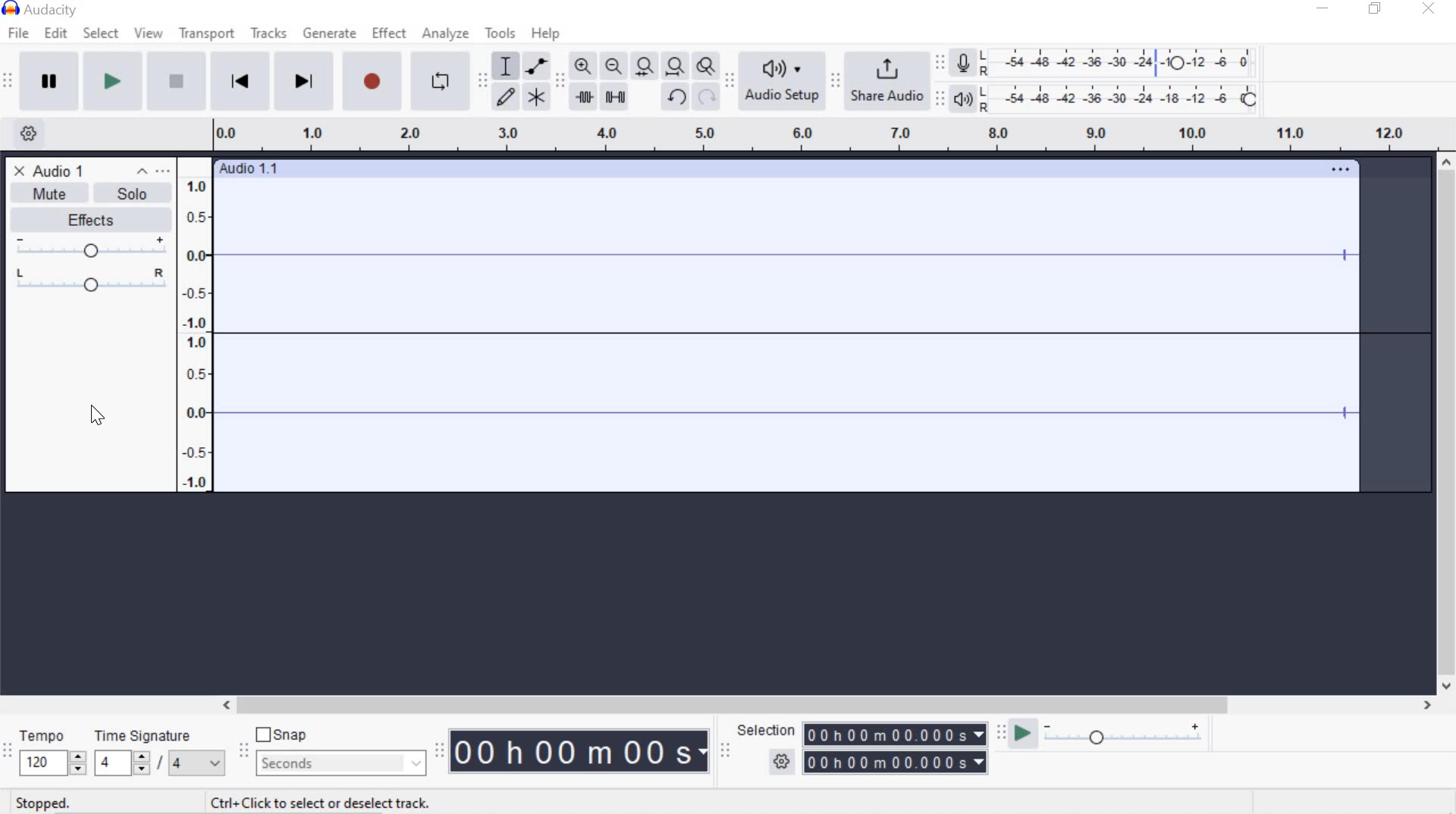  What do you see at coordinates (1447, 424) in the screenshot?
I see `scrollbar` at bounding box center [1447, 424].